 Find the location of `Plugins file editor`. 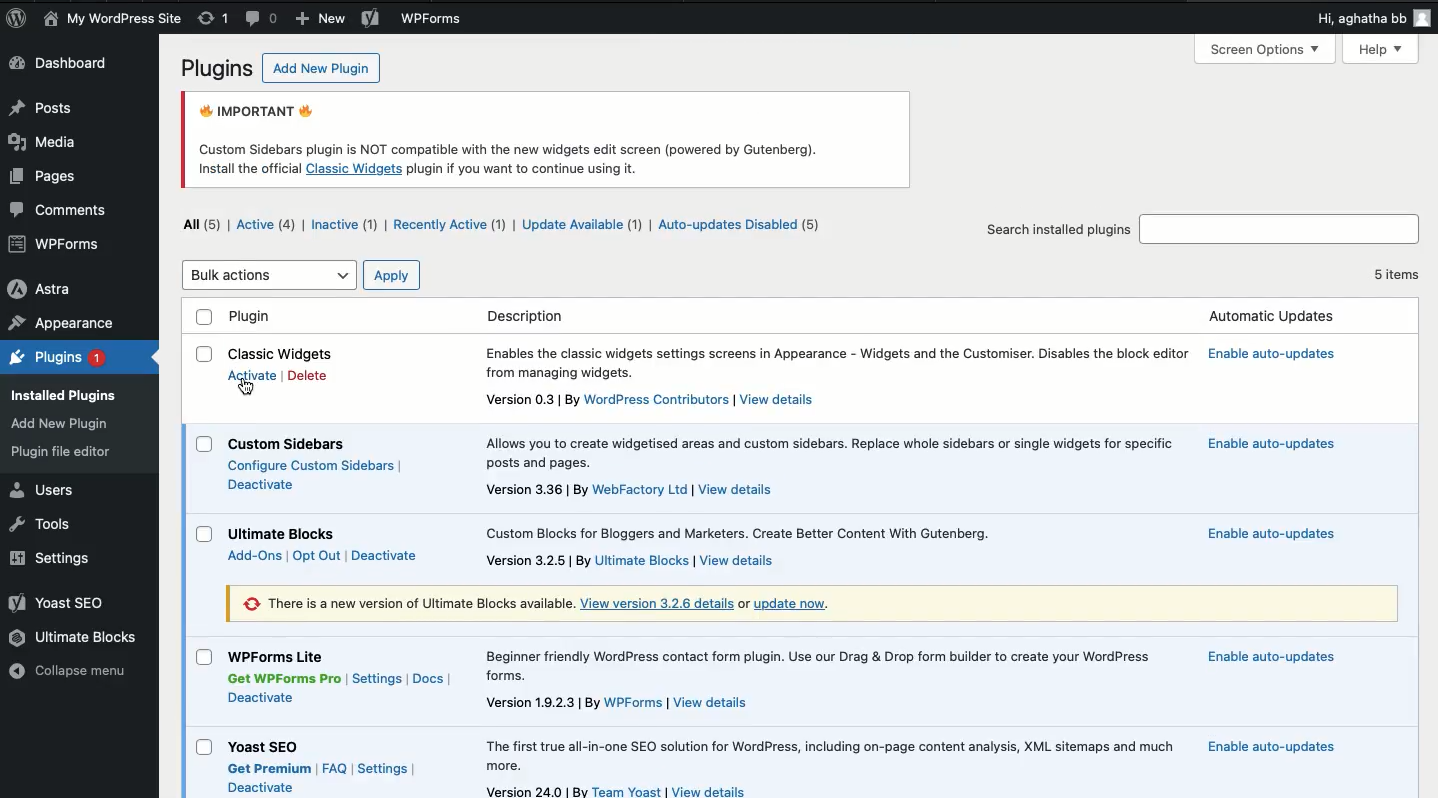

Plugins file editor is located at coordinates (65, 452).